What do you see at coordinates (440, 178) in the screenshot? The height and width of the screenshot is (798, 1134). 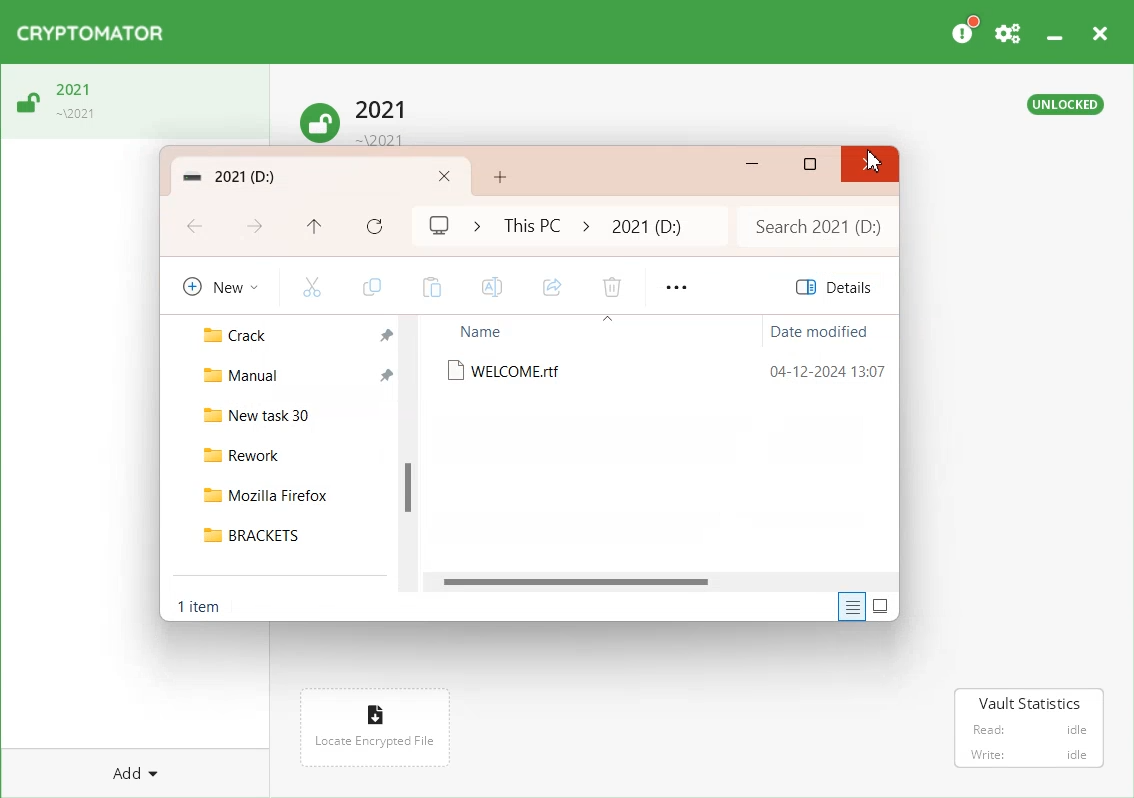 I see `Close Folder` at bounding box center [440, 178].